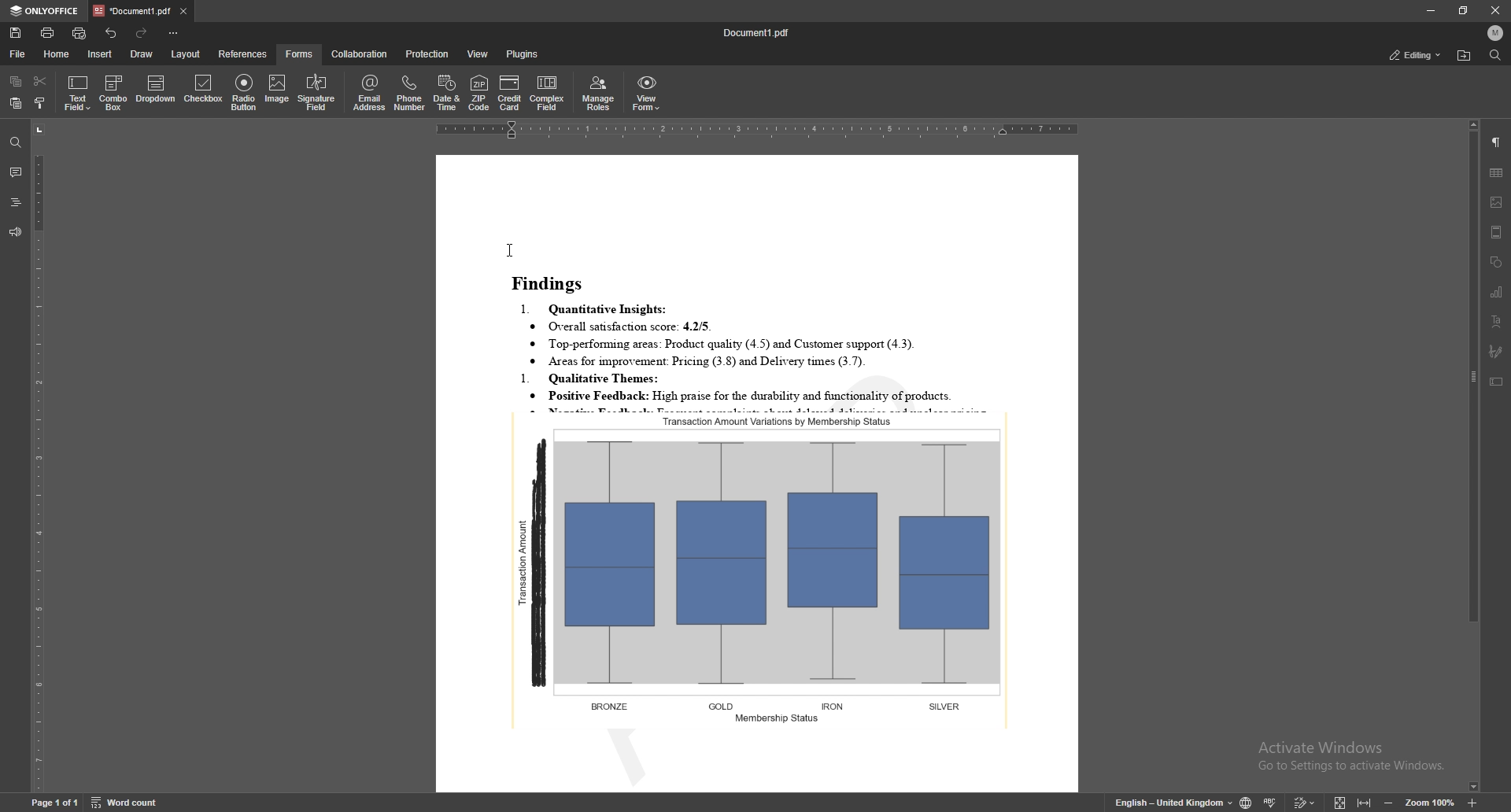  What do you see at coordinates (554, 284) in the screenshot?
I see `Findings` at bounding box center [554, 284].